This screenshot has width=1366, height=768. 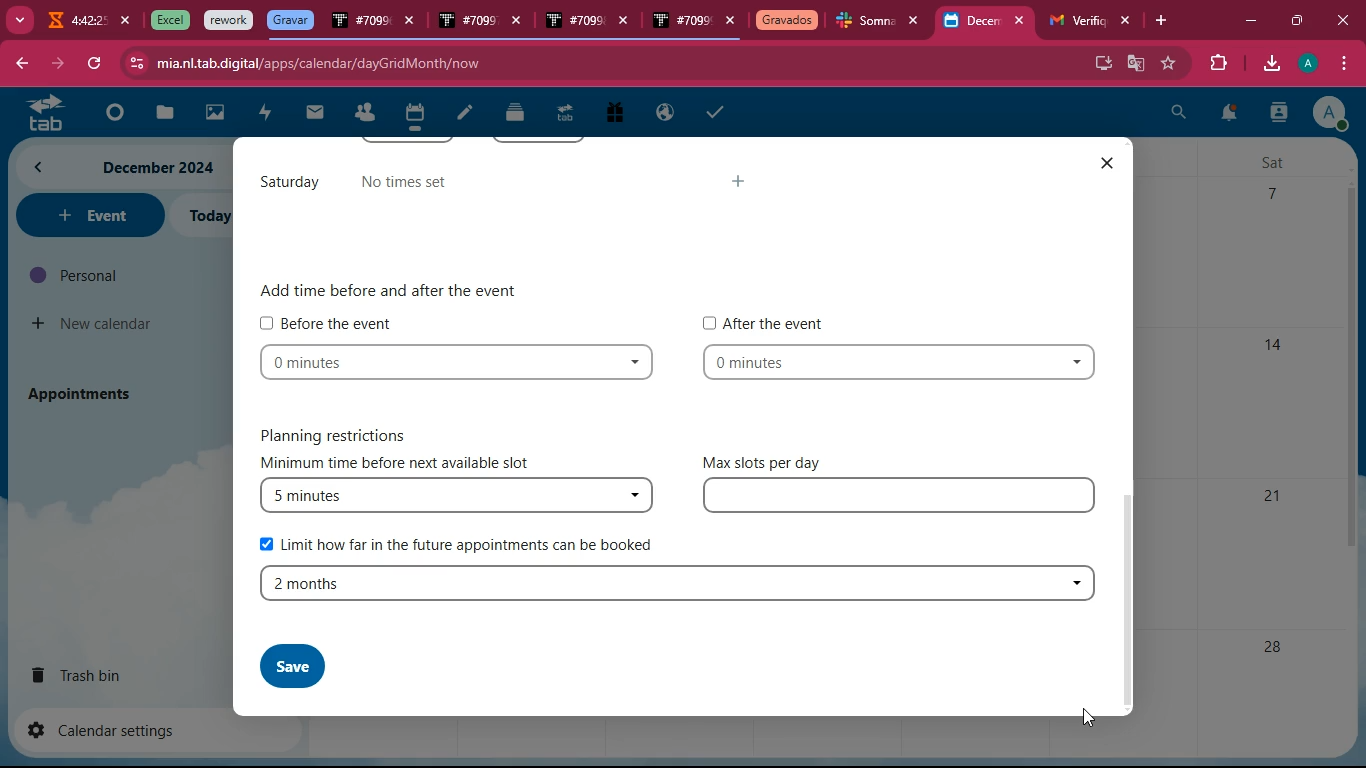 I want to click on close, so click(x=1106, y=163).